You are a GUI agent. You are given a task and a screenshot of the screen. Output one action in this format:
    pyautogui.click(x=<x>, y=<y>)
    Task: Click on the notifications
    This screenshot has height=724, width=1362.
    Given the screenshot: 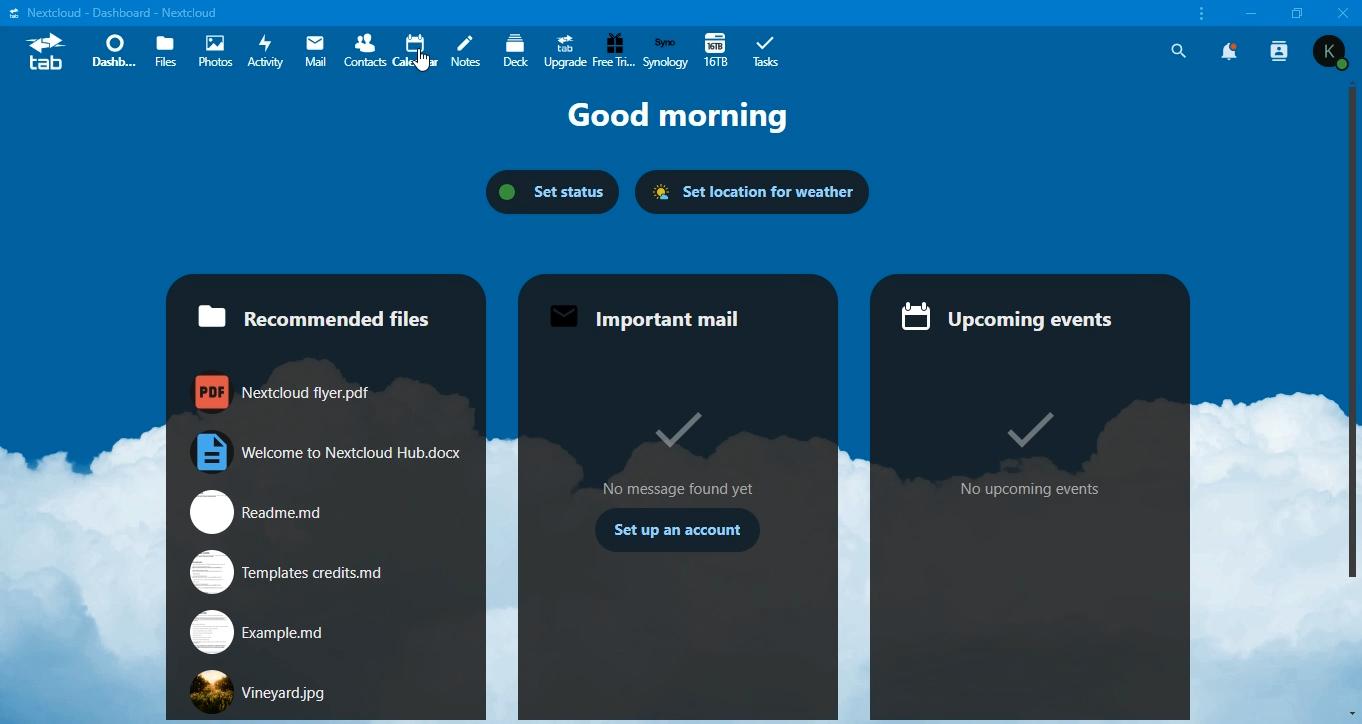 What is the action you would take?
    pyautogui.click(x=1231, y=51)
    